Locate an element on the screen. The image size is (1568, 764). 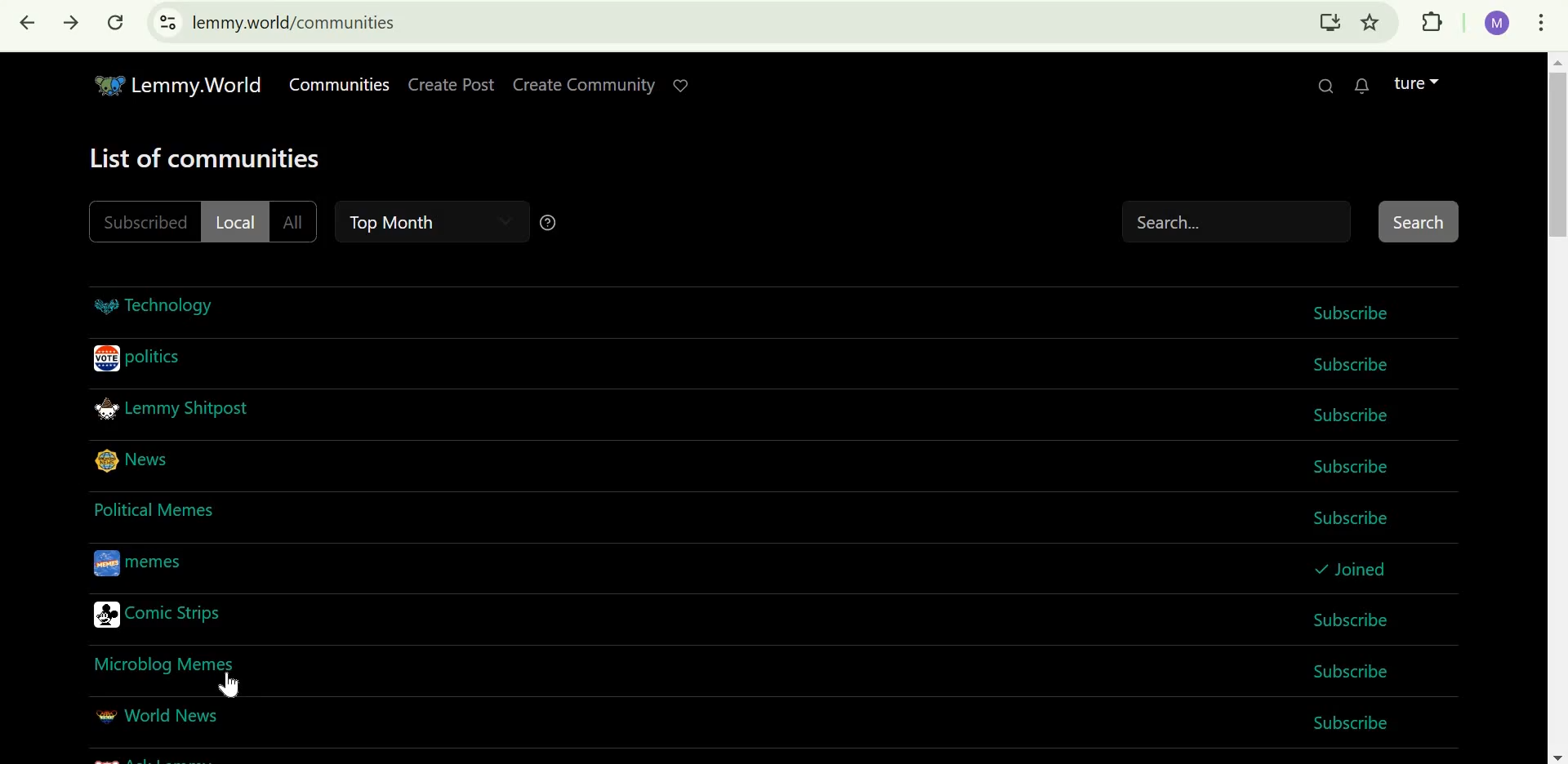
Technology is located at coordinates (155, 306).